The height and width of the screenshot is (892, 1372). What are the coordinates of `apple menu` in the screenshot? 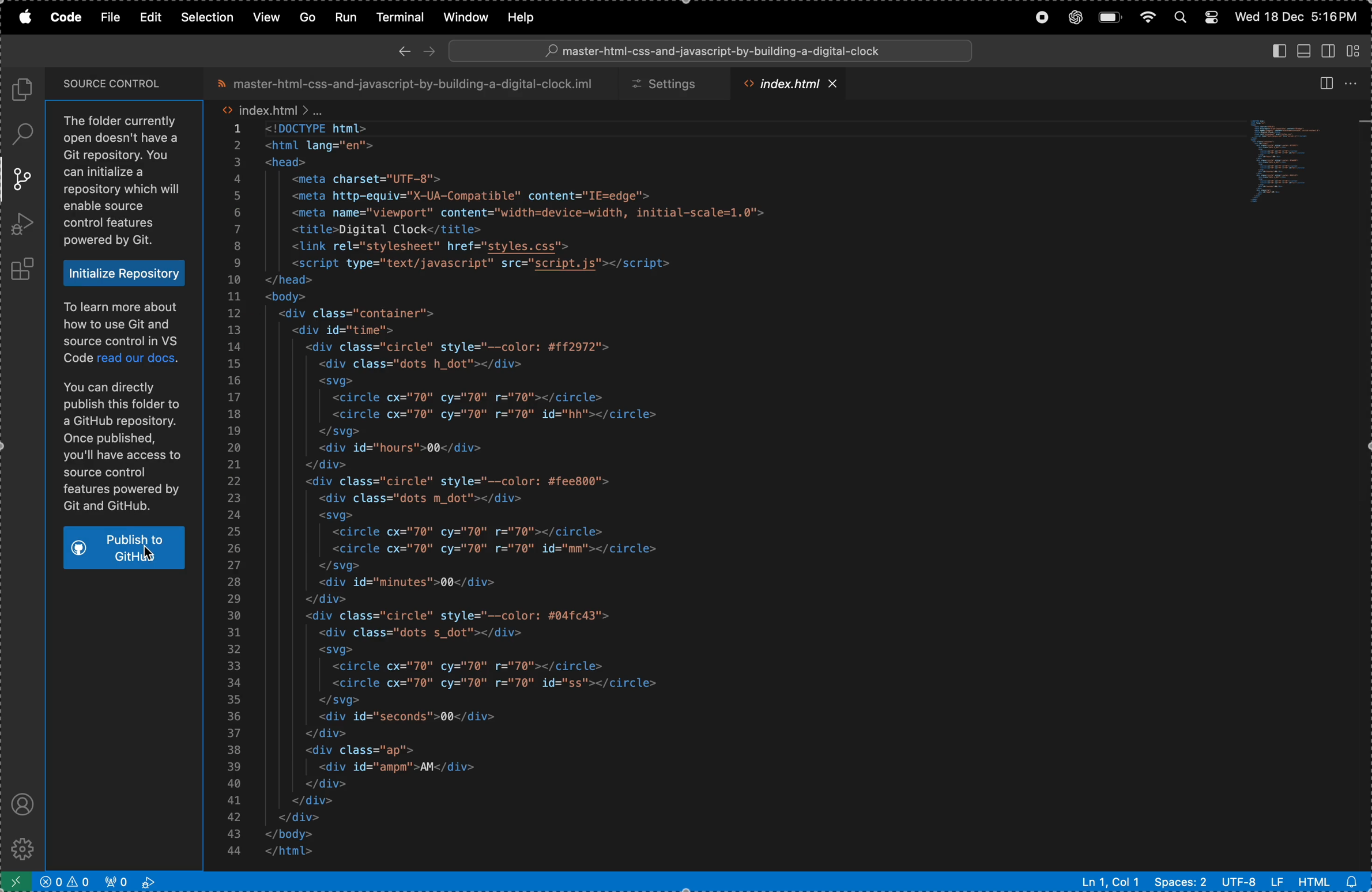 It's located at (27, 18).